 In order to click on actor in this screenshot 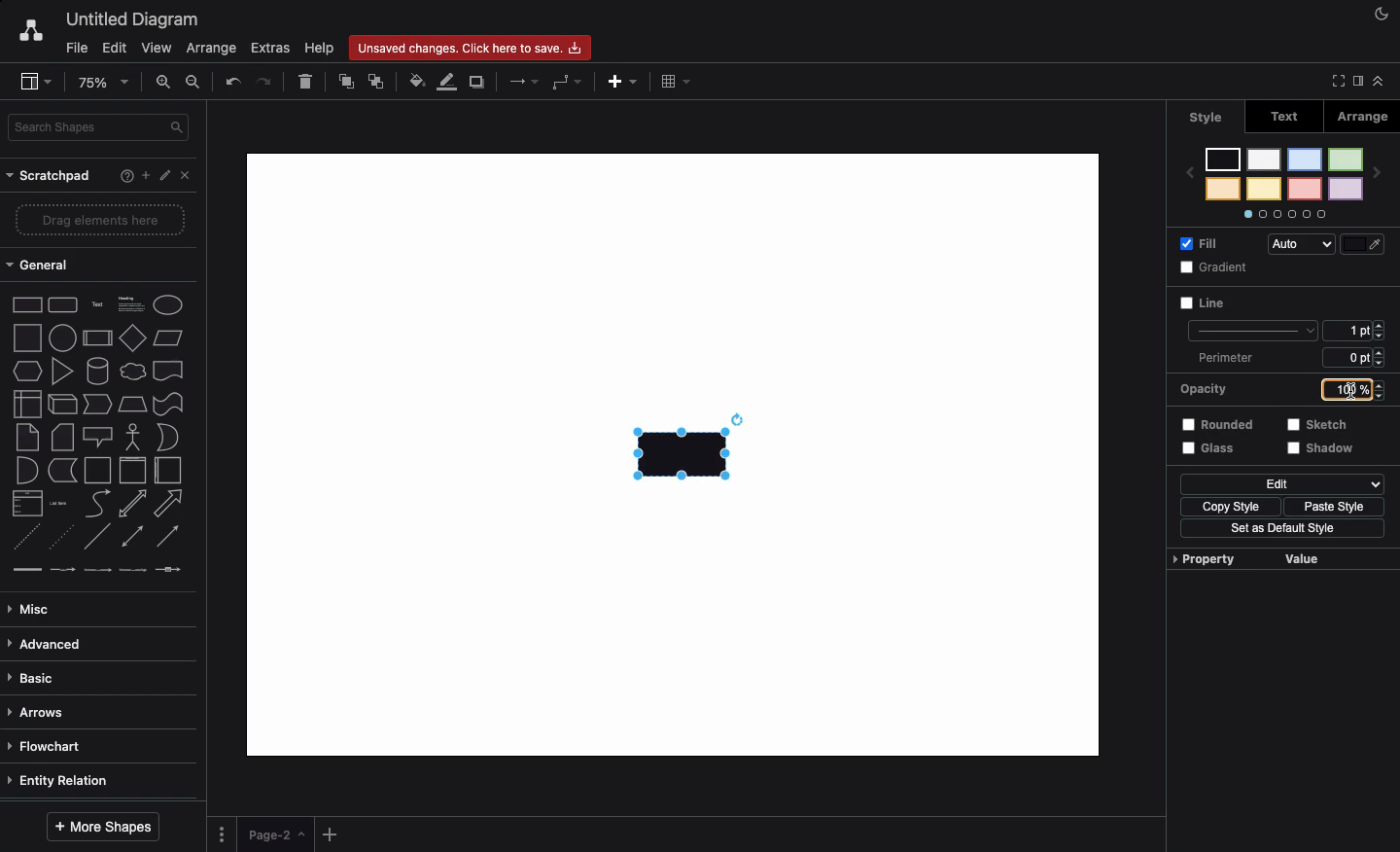, I will do `click(135, 437)`.